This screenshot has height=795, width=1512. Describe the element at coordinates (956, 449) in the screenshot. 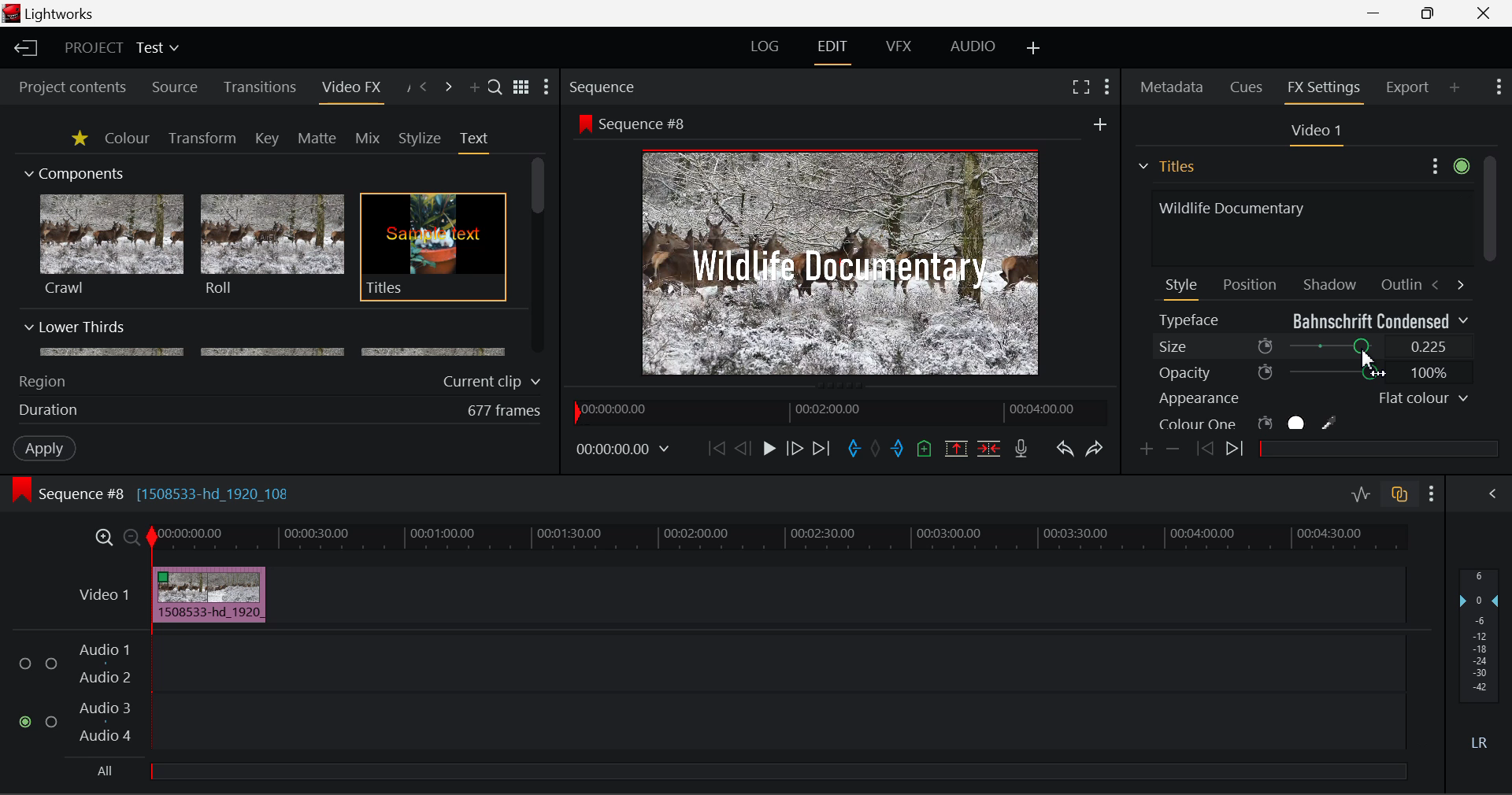

I see `Remove Marked Section` at that location.